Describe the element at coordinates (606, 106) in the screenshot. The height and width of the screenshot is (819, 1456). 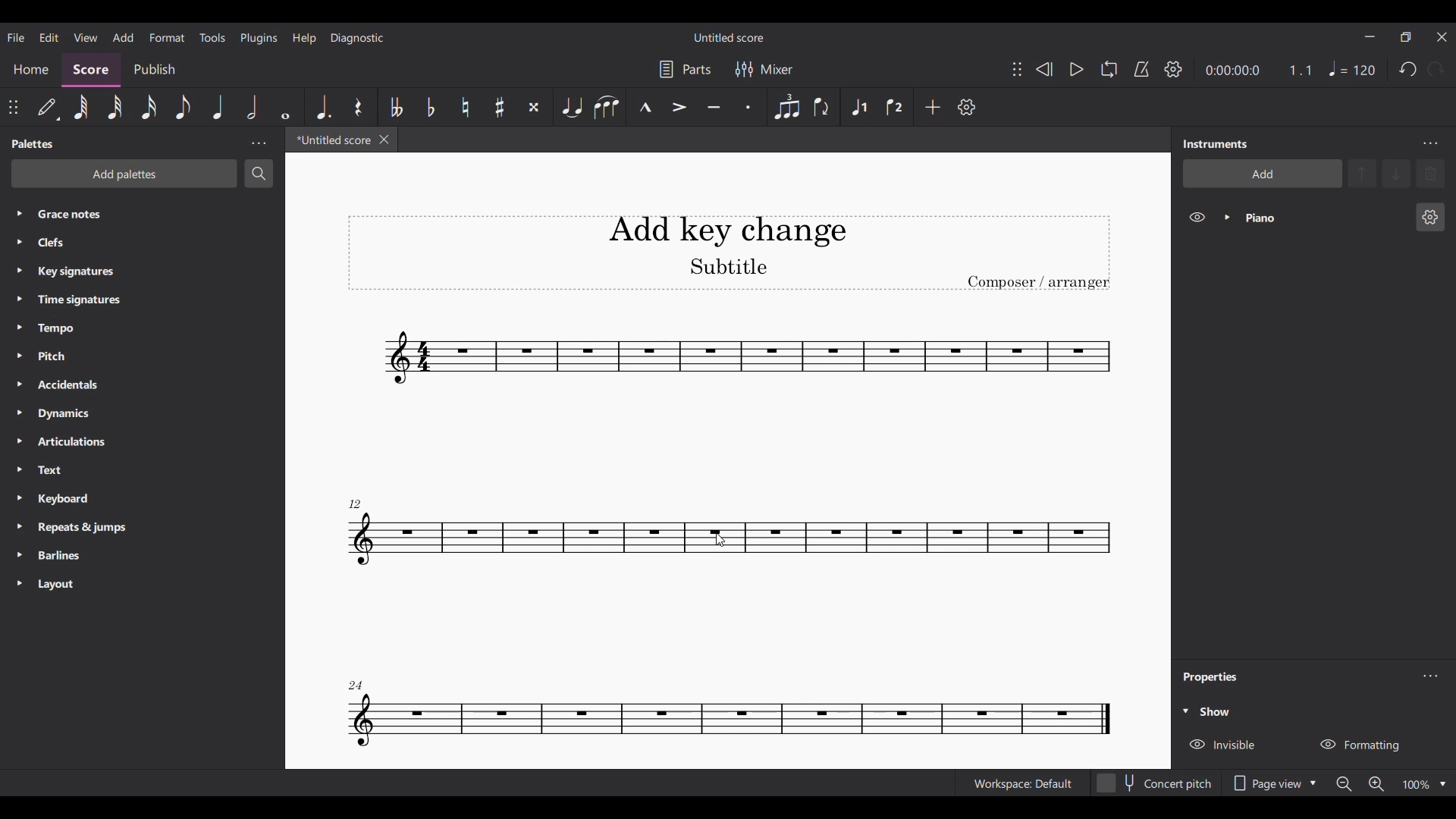
I see `Slur` at that location.